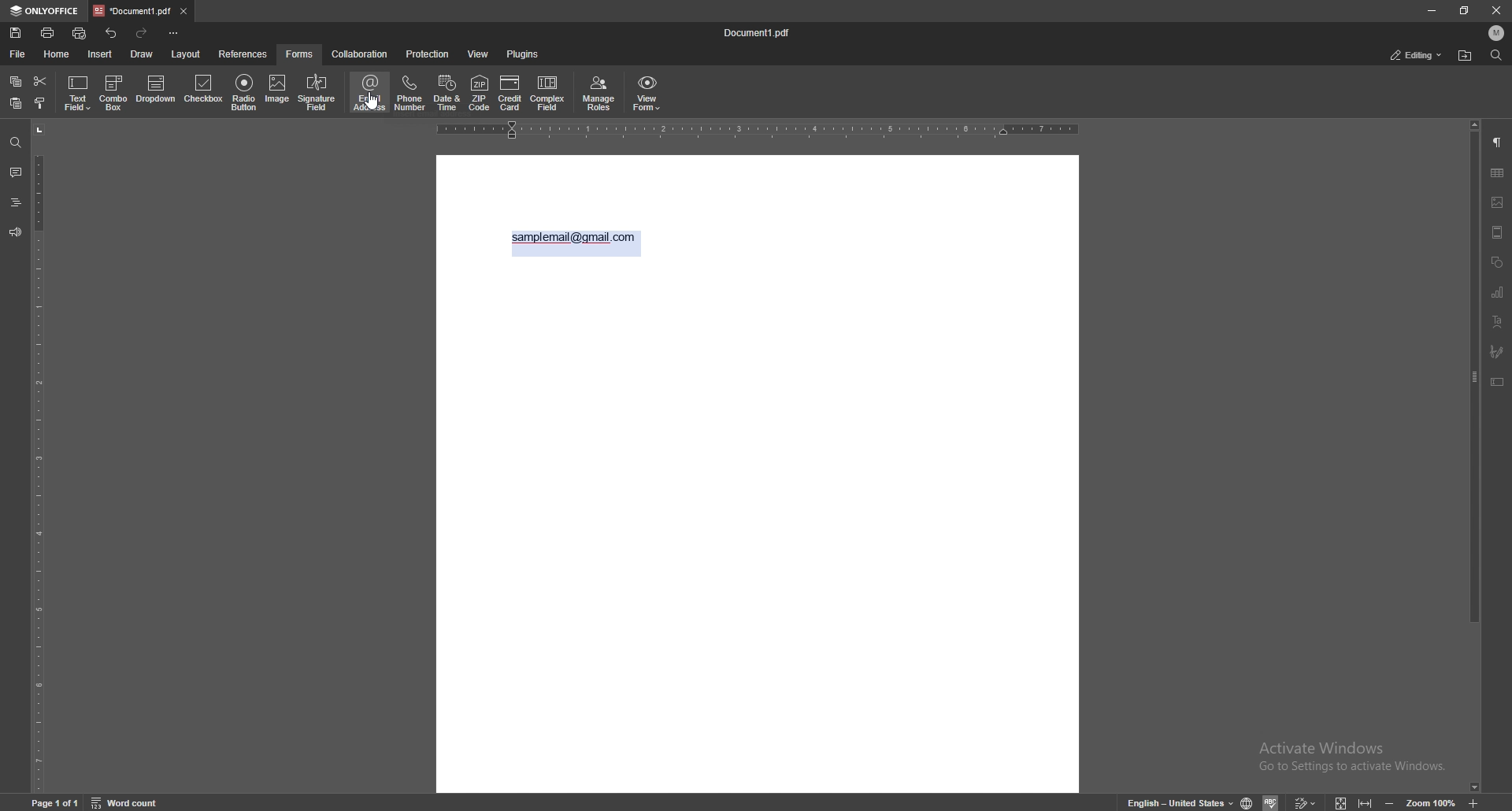 The width and height of the screenshot is (1512, 811). I want to click on quickprint, so click(80, 33).